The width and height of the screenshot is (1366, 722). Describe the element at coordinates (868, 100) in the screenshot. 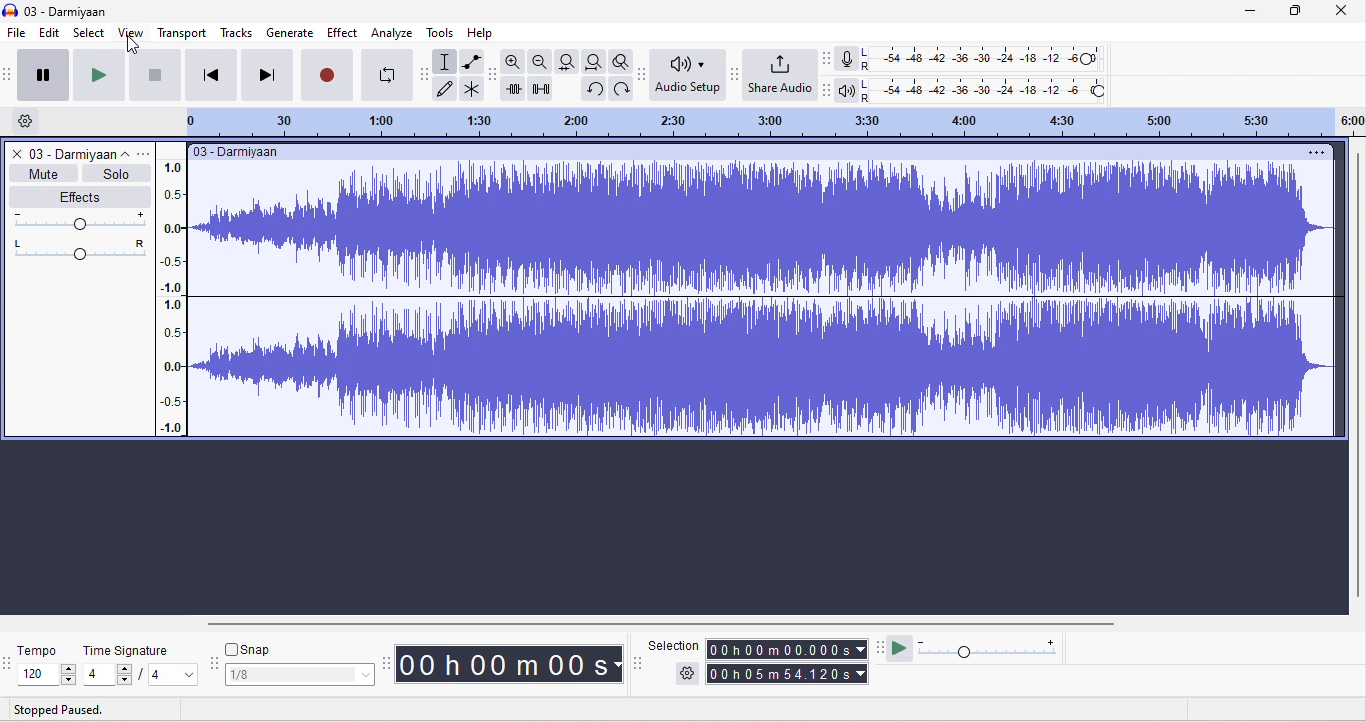

I see `R` at that location.